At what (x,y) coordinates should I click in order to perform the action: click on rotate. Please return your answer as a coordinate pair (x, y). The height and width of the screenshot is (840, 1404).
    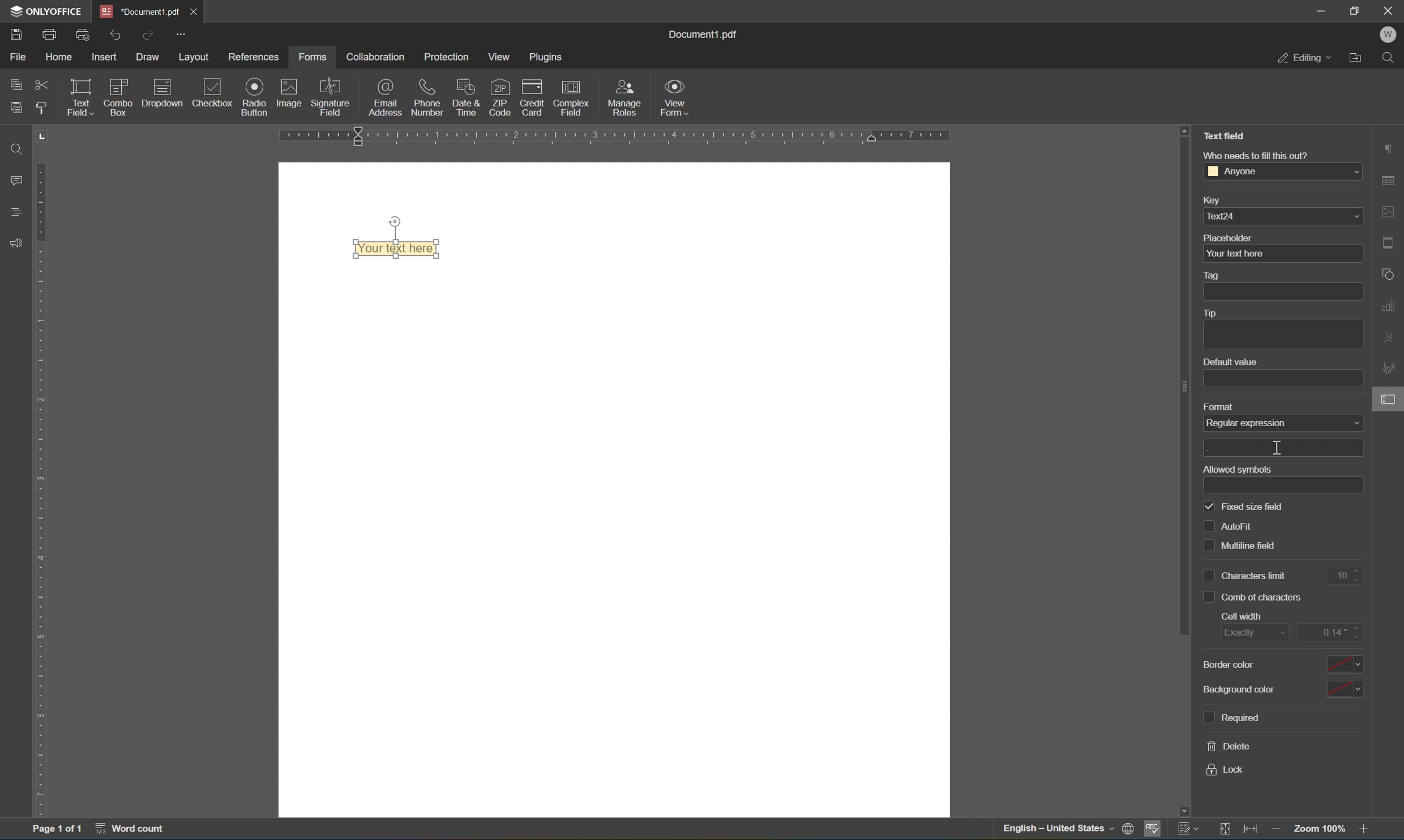
    Looking at the image, I should click on (395, 221).